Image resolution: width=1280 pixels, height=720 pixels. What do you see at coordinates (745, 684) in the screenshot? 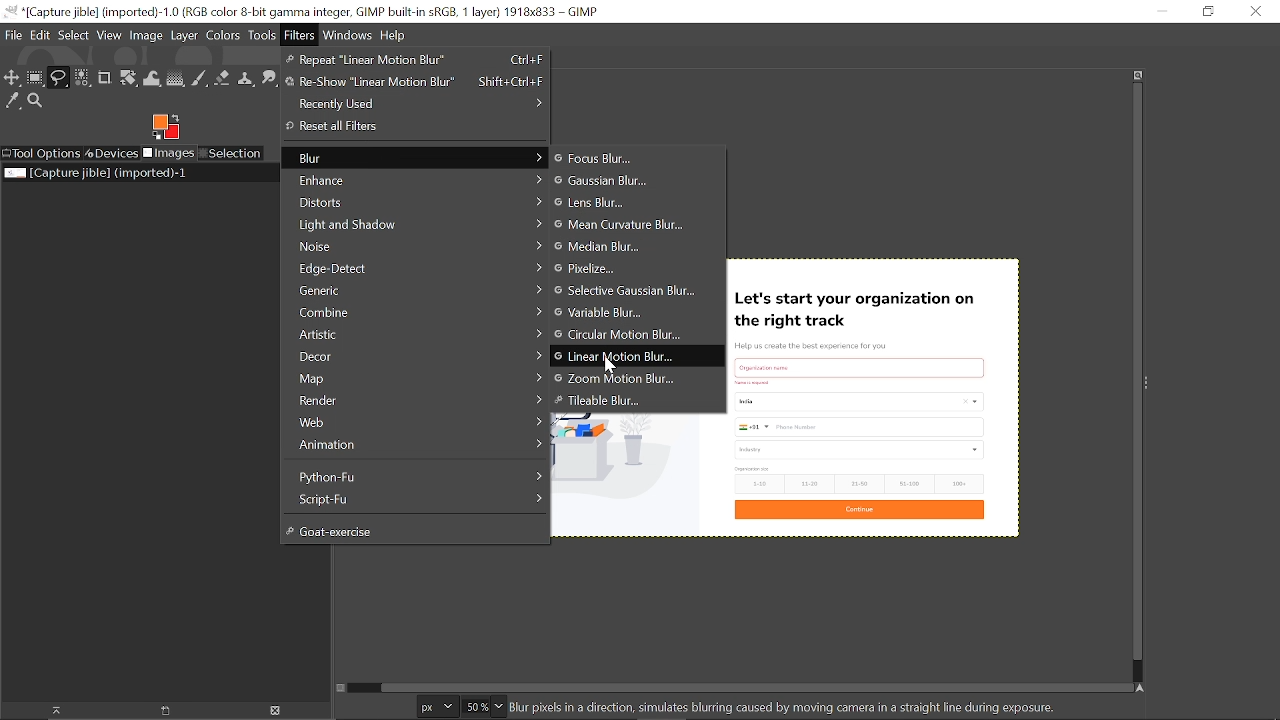
I see `Horizontal scrollbar` at bounding box center [745, 684].